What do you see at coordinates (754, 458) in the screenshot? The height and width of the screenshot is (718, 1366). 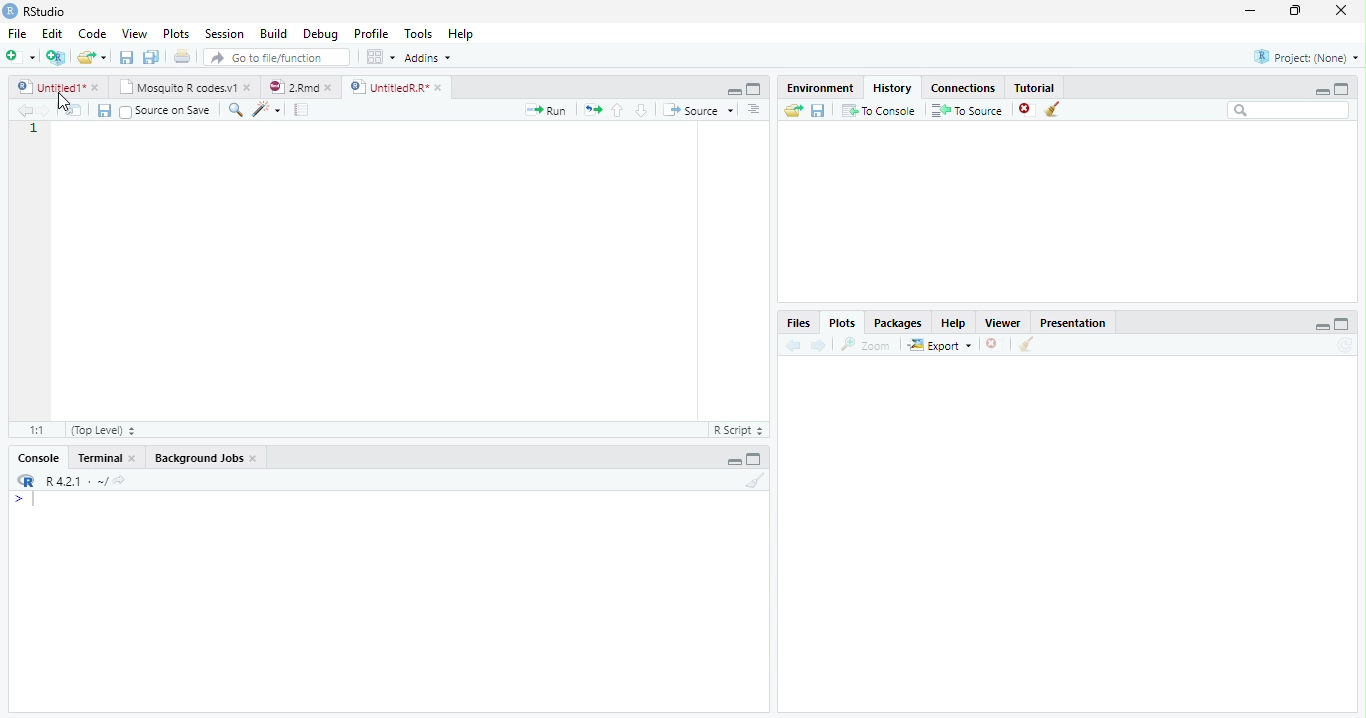 I see `Maximize` at bounding box center [754, 458].